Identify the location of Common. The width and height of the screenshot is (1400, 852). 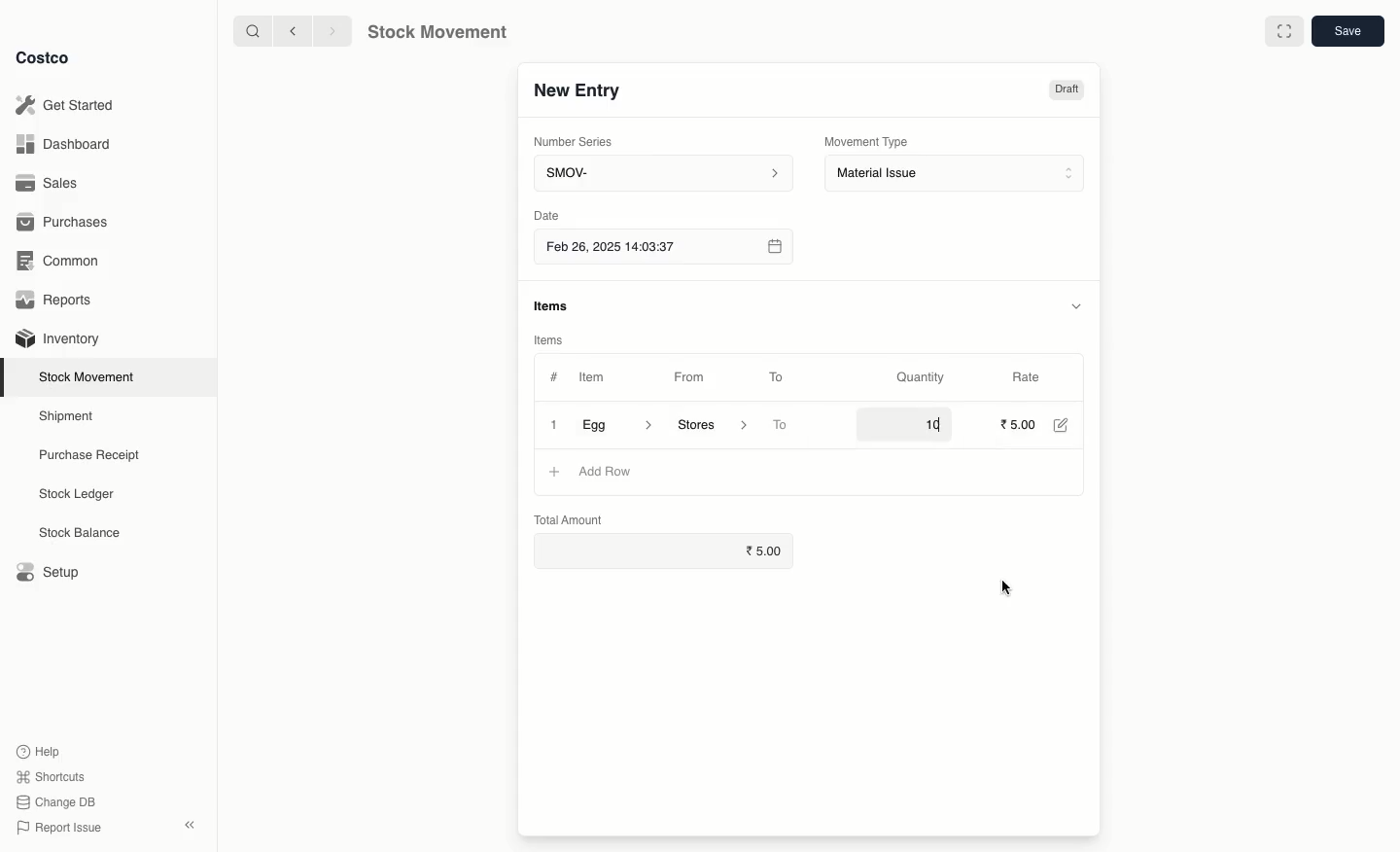
(63, 263).